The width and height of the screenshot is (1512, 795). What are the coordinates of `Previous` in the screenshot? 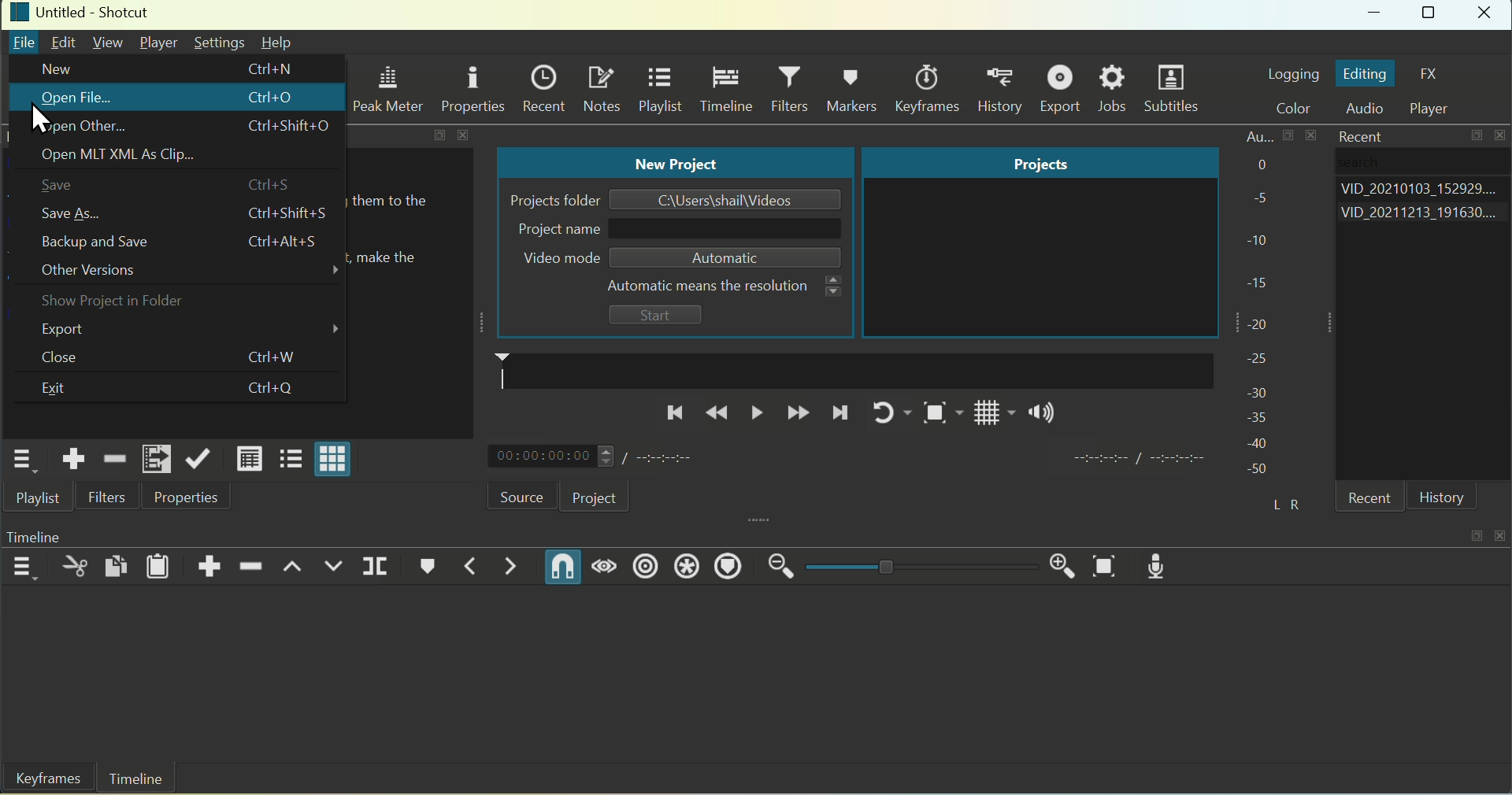 It's located at (672, 413).